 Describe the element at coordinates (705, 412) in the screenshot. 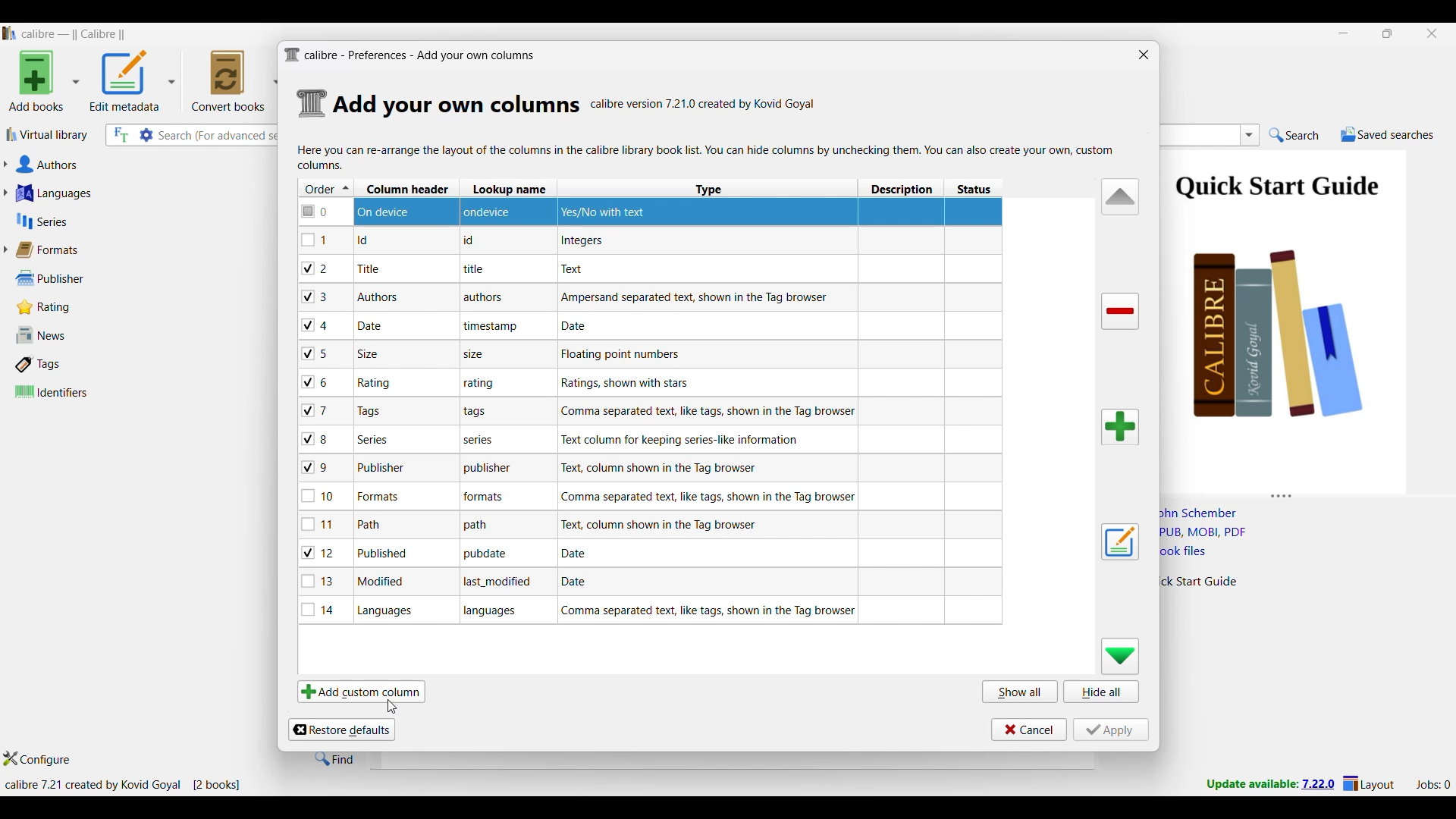

I see `Explanation` at that location.